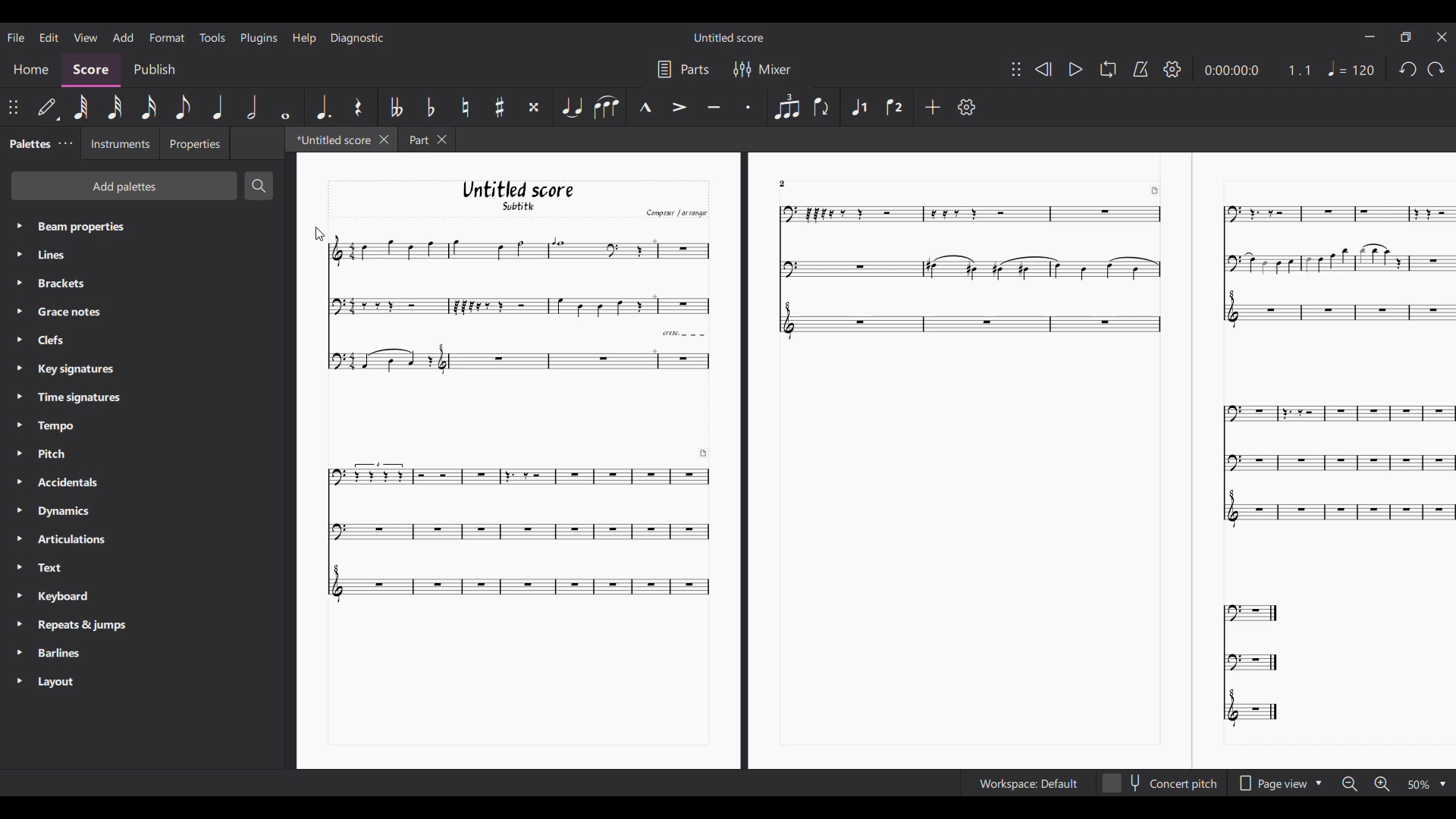  What do you see at coordinates (1337, 511) in the screenshot?
I see `` at bounding box center [1337, 511].